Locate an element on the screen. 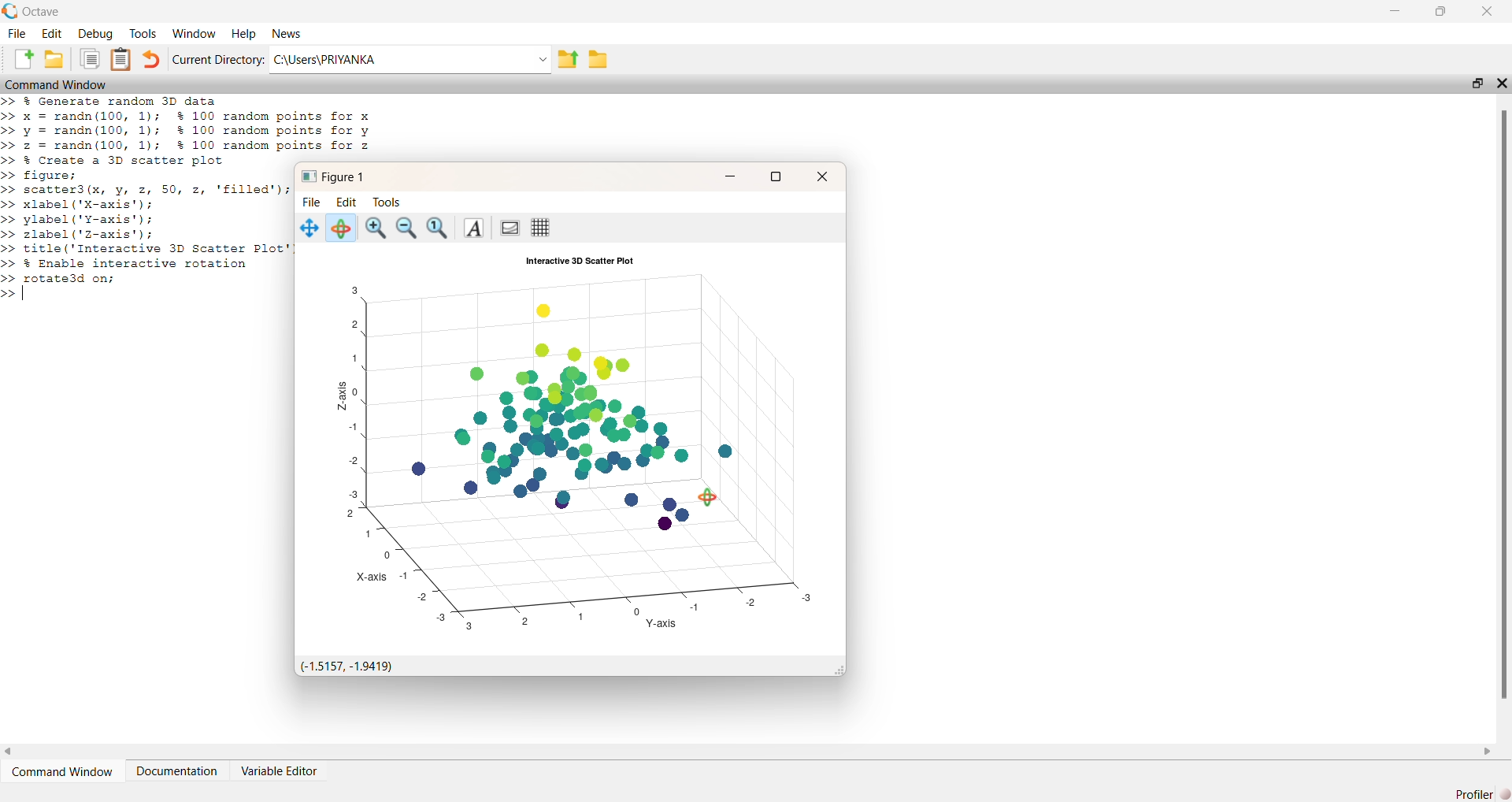 The height and width of the screenshot is (802, 1512). Interactive 3D Scatter Plot is located at coordinates (580, 261).